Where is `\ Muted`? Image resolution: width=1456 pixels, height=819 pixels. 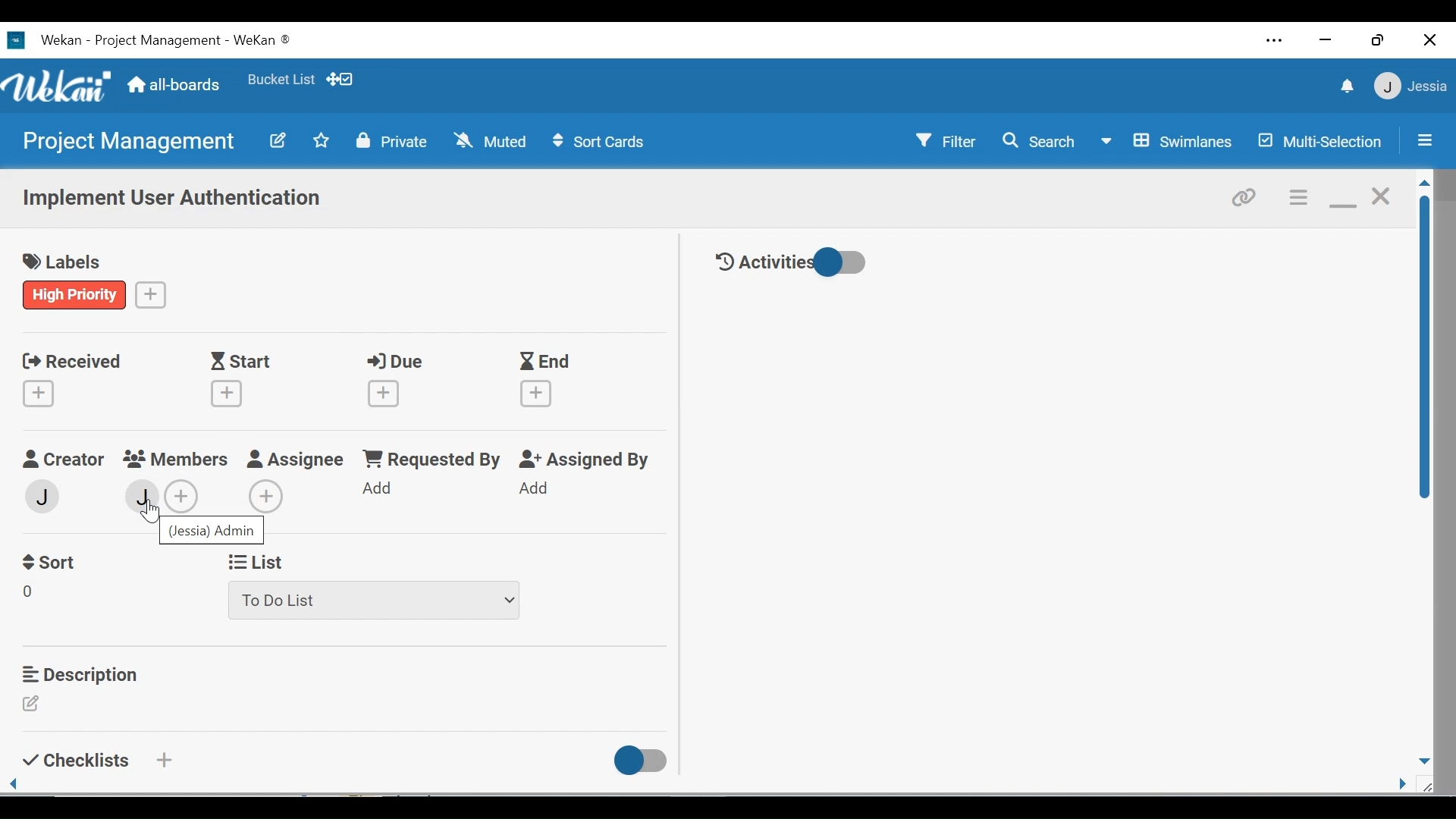
\ Muted is located at coordinates (492, 142).